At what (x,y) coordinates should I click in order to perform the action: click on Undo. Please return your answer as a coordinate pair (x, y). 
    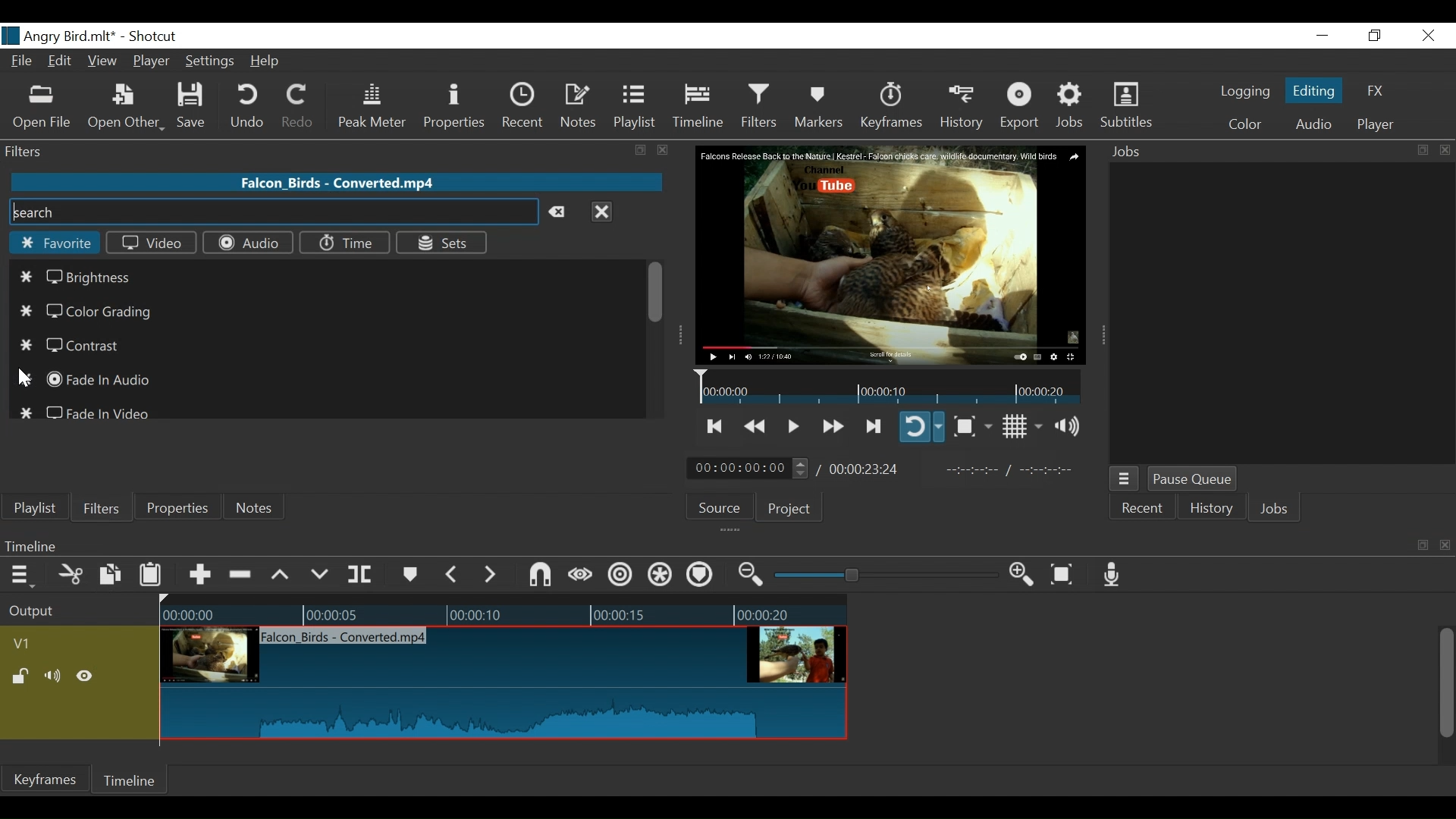
    Looking at the image, I should click on (249, 106).